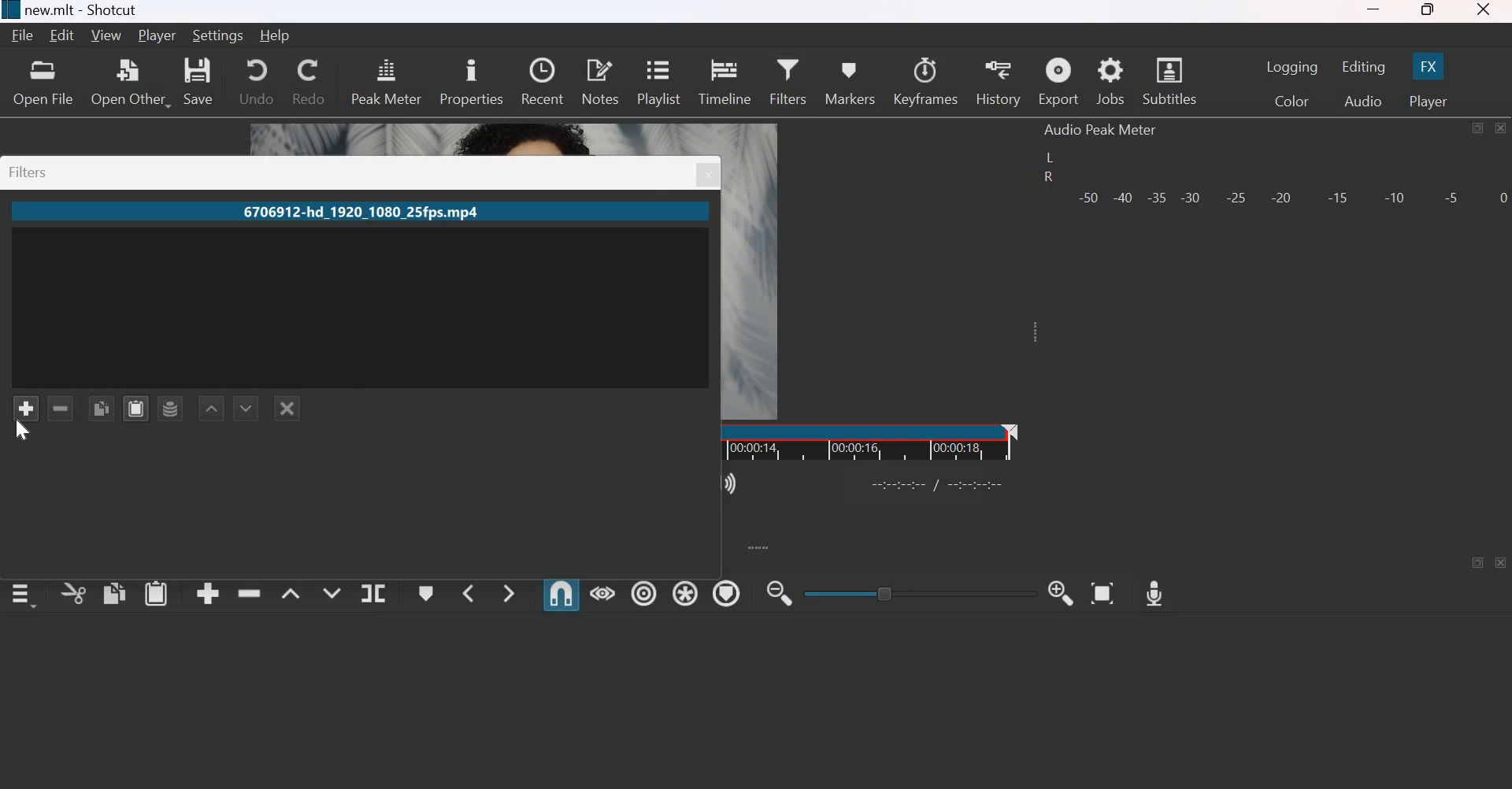  I want to click on timeline menu, so click(27, 595).